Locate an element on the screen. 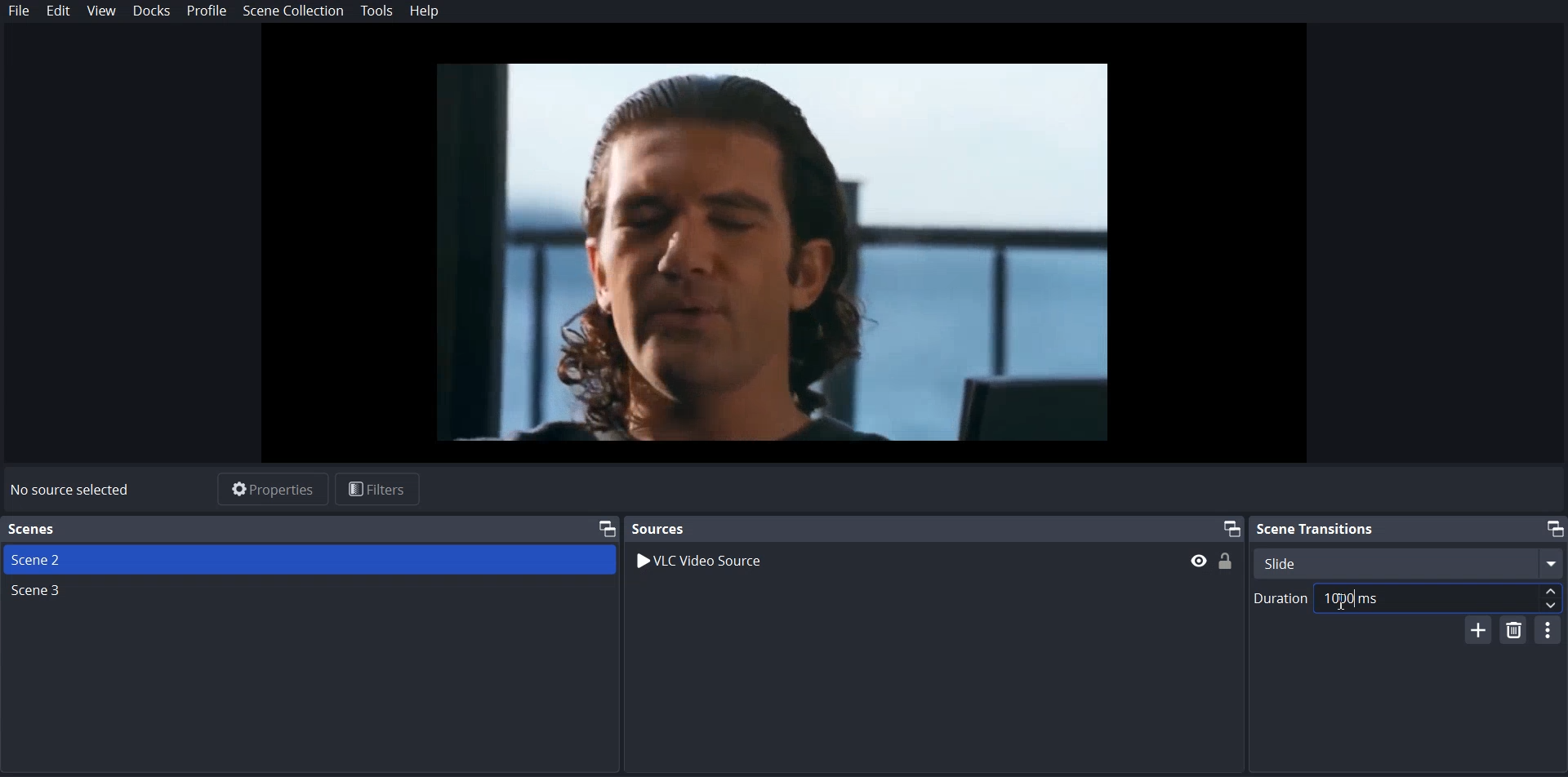  (un)Lock is located at coordinates (1227, 560).